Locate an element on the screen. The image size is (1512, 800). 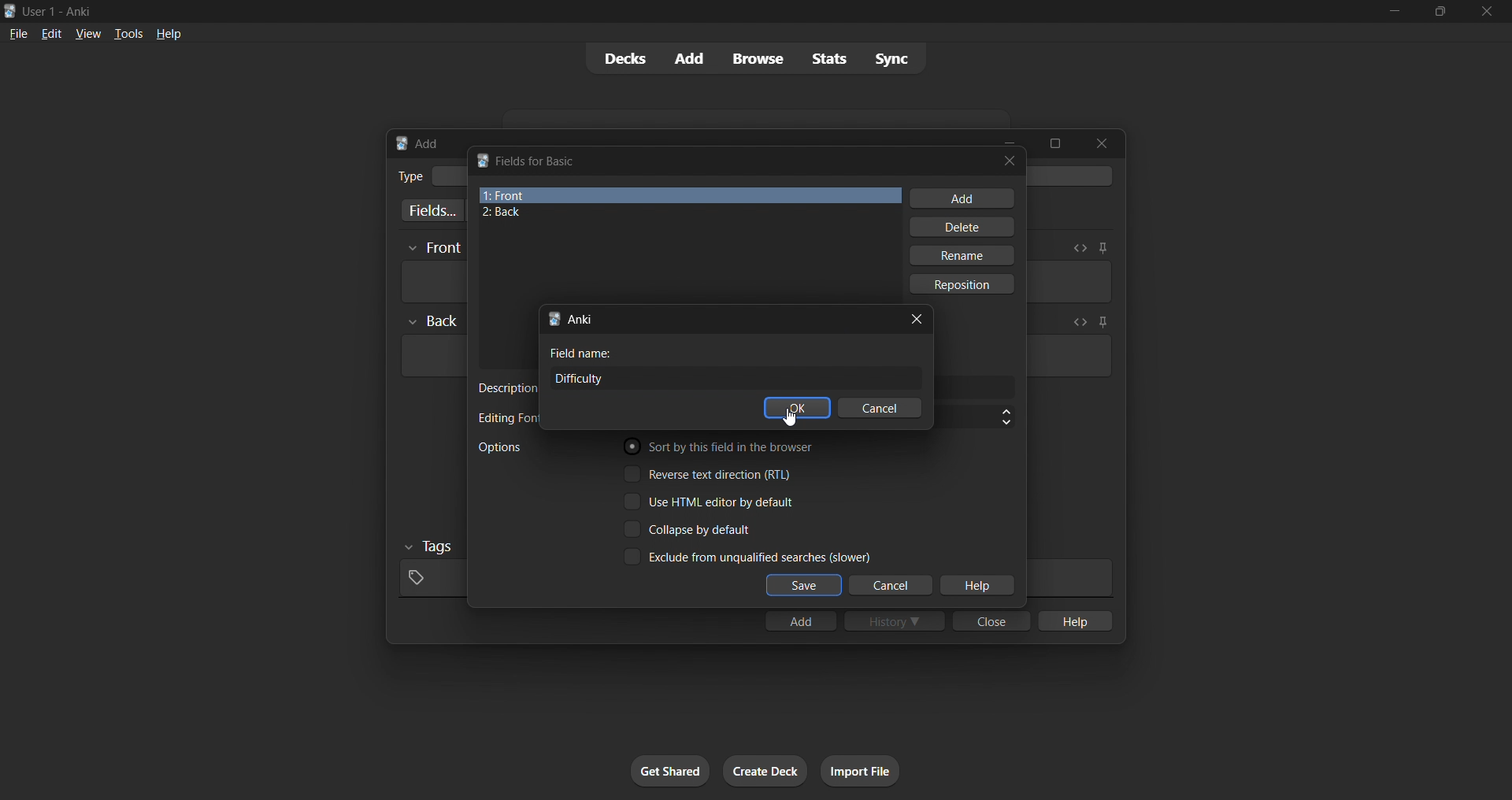
reposition is located at coordinates (964, 284).